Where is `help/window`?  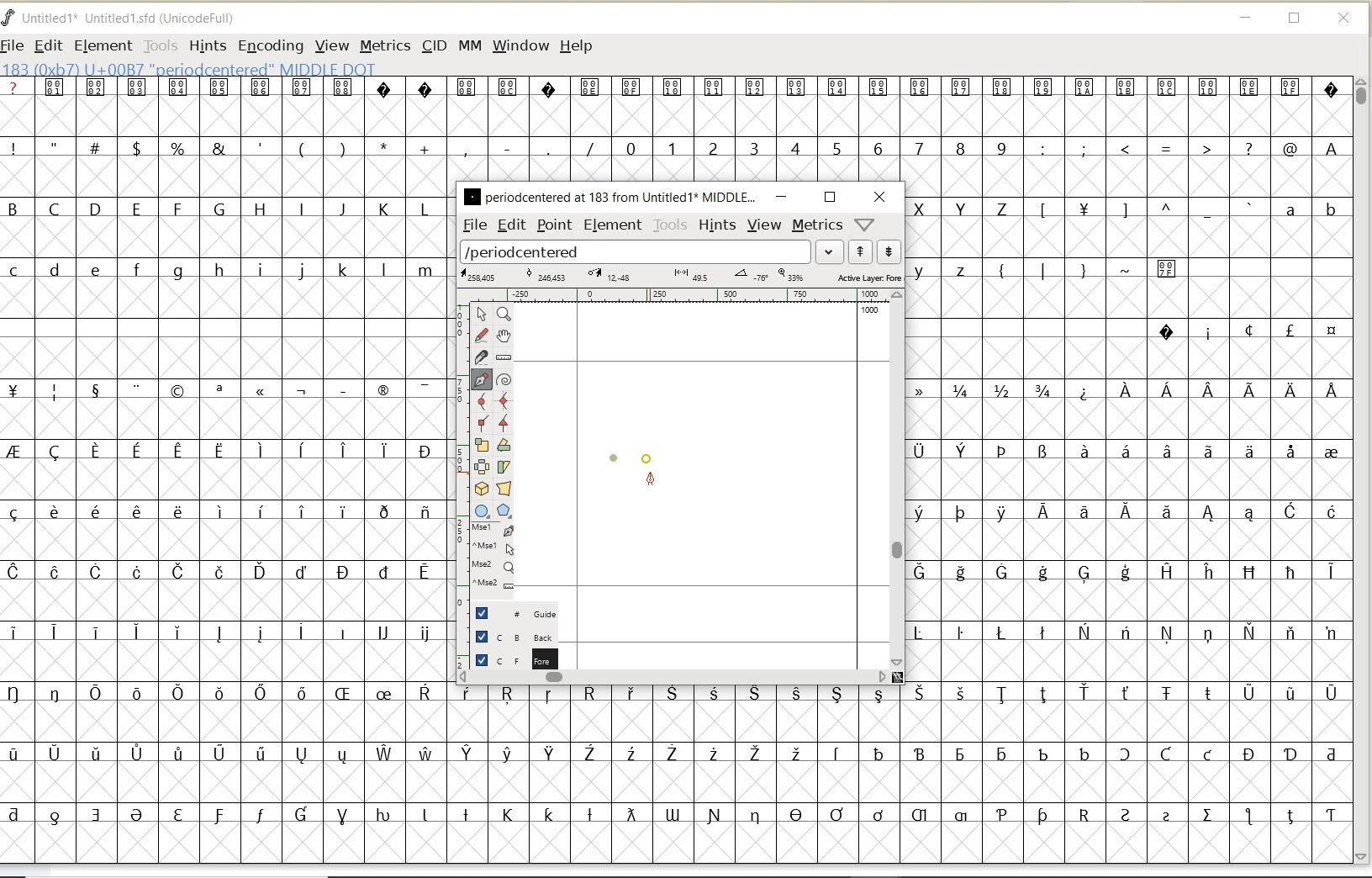 help/window is located at coordinates (863, 225).